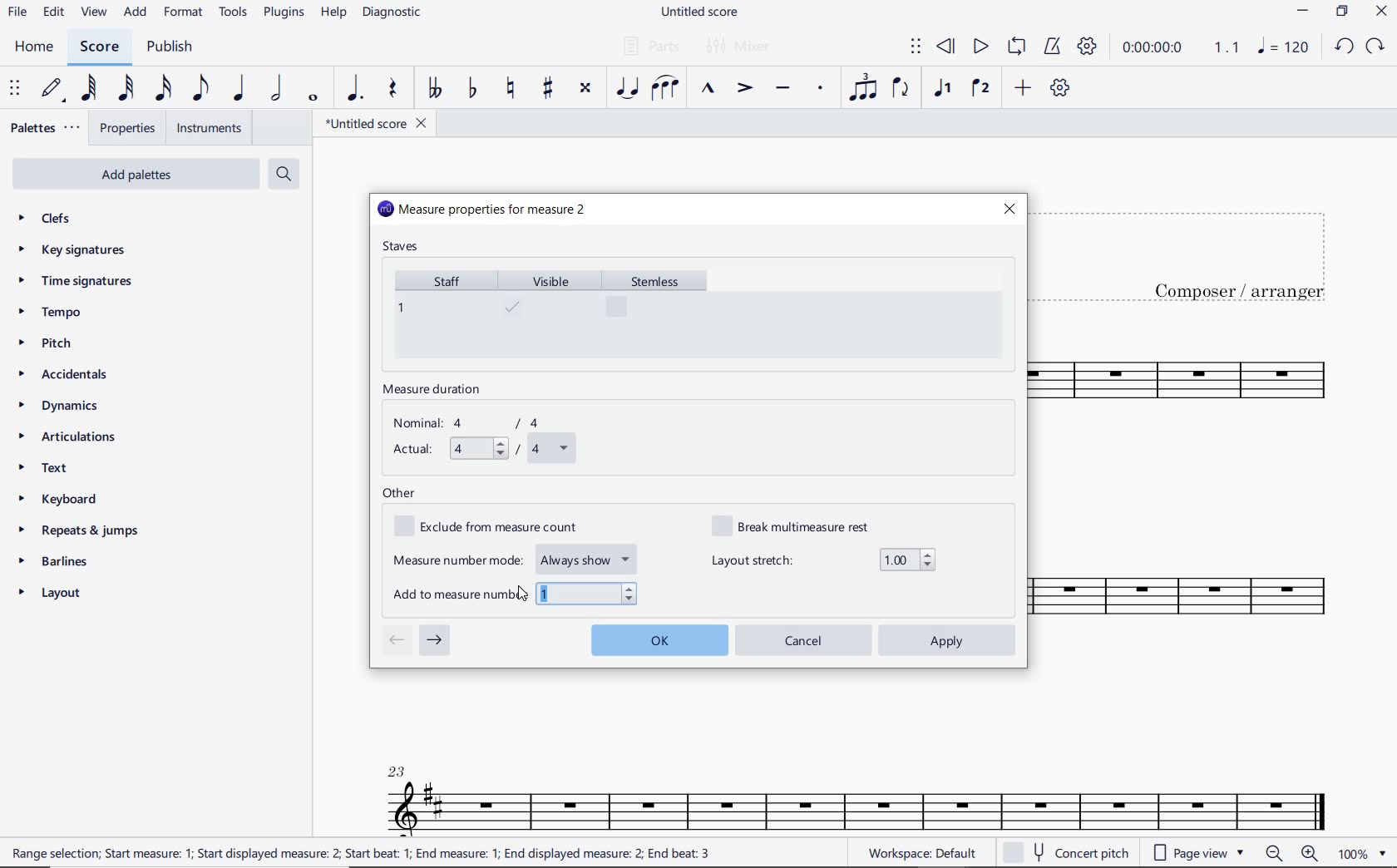 This screenshot has width=1397, height=868. I want to click on DYNAMICS, so click(67, 407).